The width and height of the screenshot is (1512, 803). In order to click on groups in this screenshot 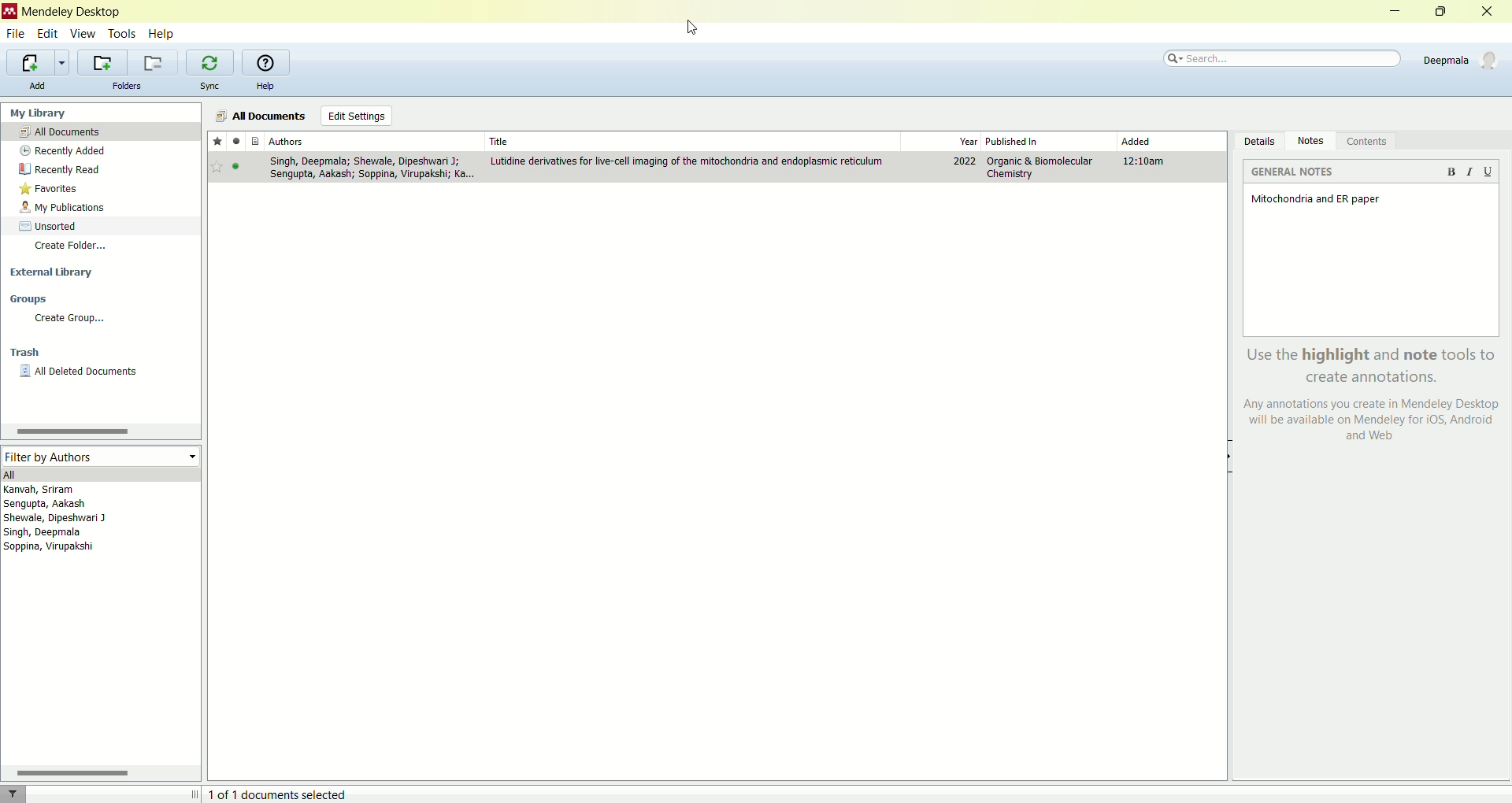, I will do `click(98, 299)`.